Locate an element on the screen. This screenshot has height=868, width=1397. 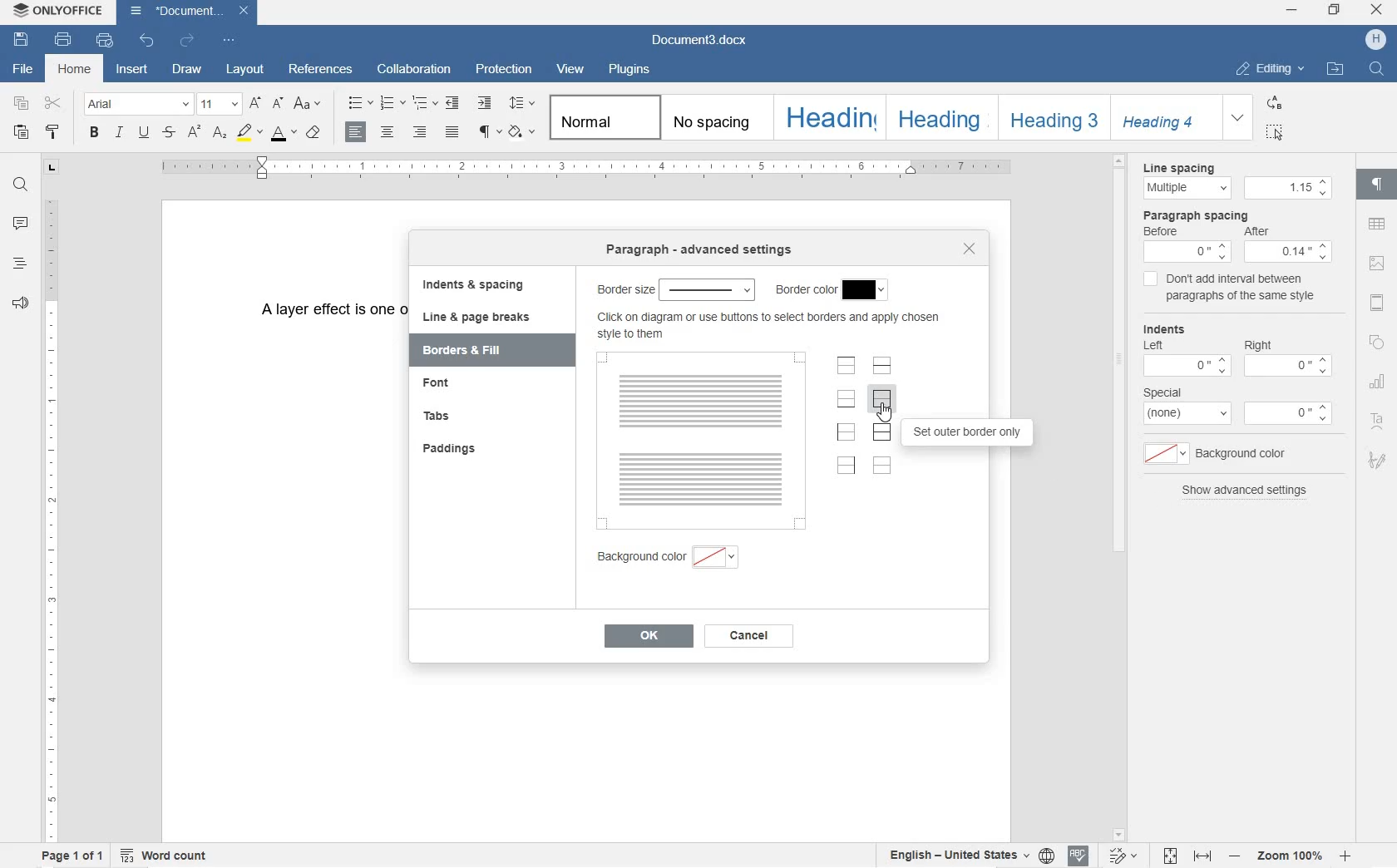
set right border only is located at coordinates (845, 467).